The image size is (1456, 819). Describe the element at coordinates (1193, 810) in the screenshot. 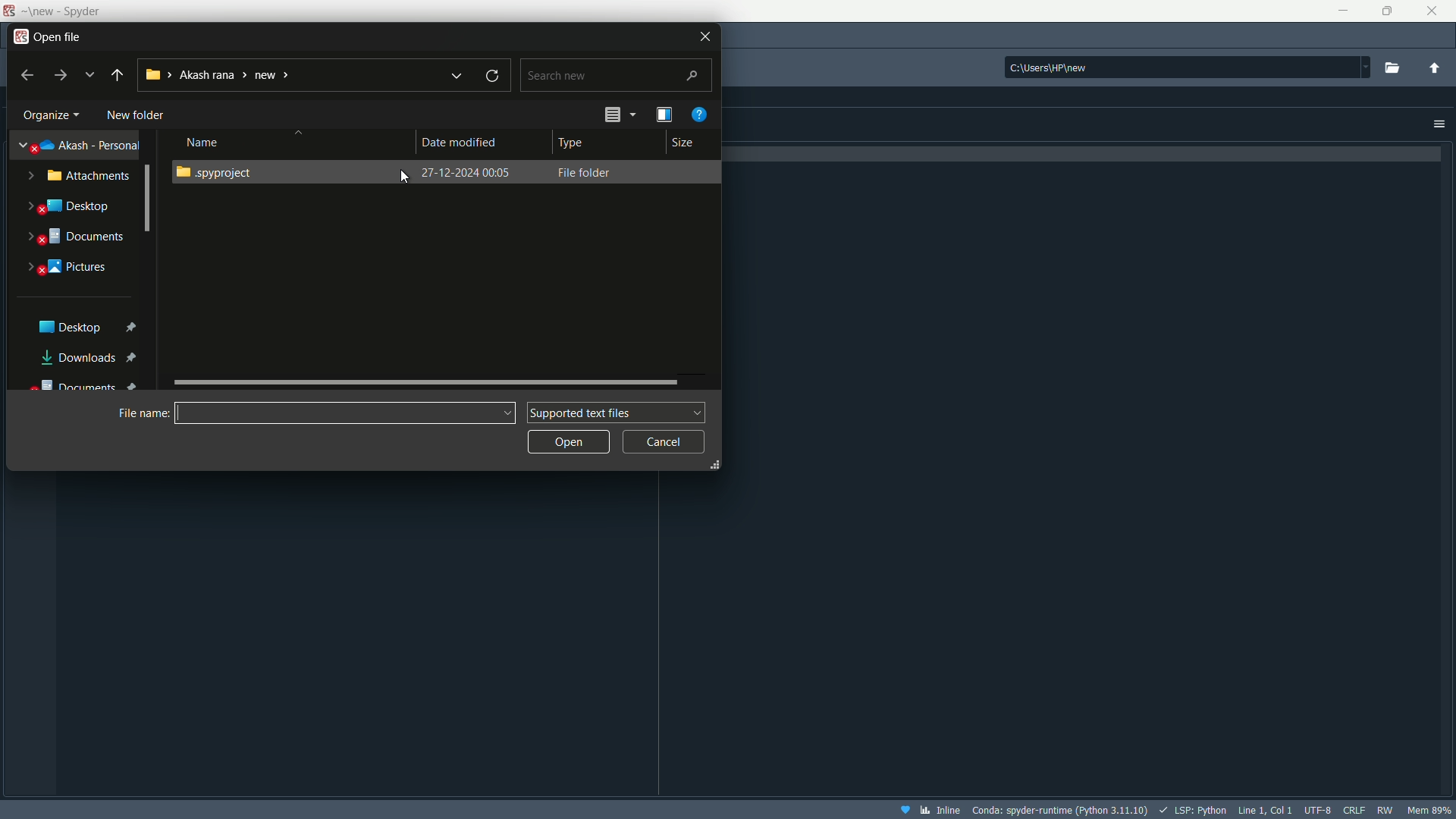

I see `LSP:Python` at that location.